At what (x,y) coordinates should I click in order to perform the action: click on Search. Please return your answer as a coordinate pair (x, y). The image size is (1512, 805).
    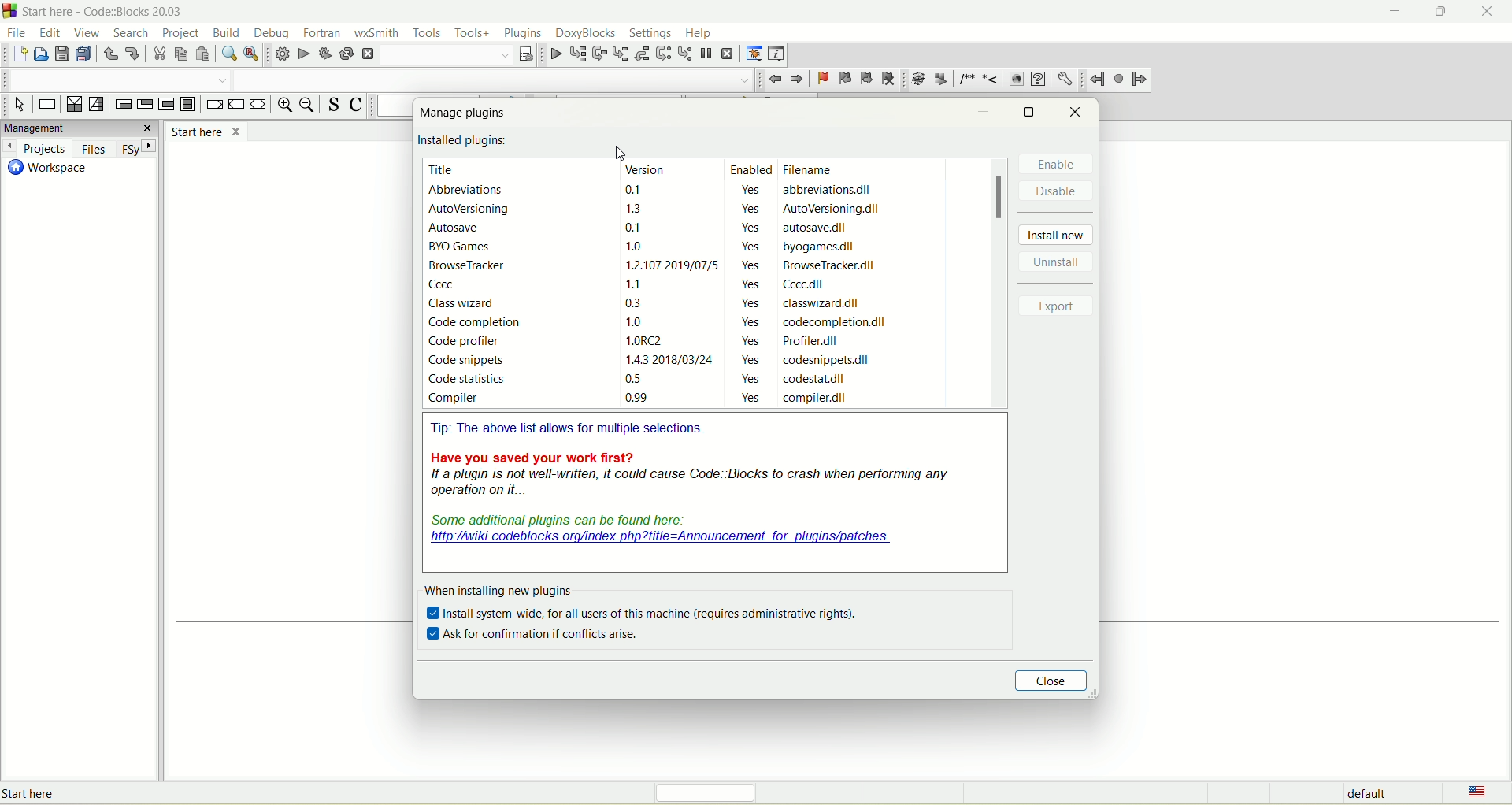
    Looking at the image, I should click on (117, 80).